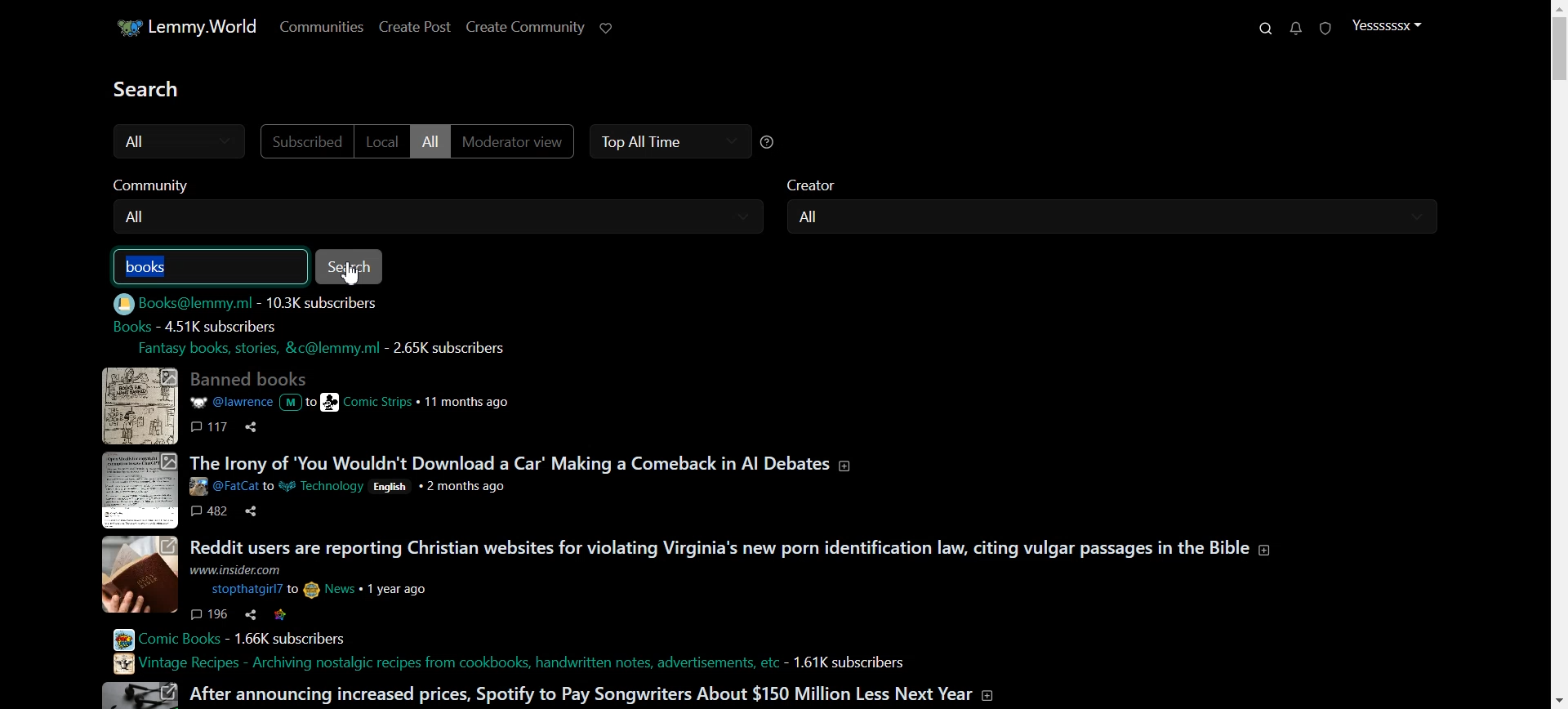 This screenshot has width=1568, height=709. What do you see at coordinates (523, 141) in the screenshot?
I see `Moderator view` at bounding box center [523, 141].